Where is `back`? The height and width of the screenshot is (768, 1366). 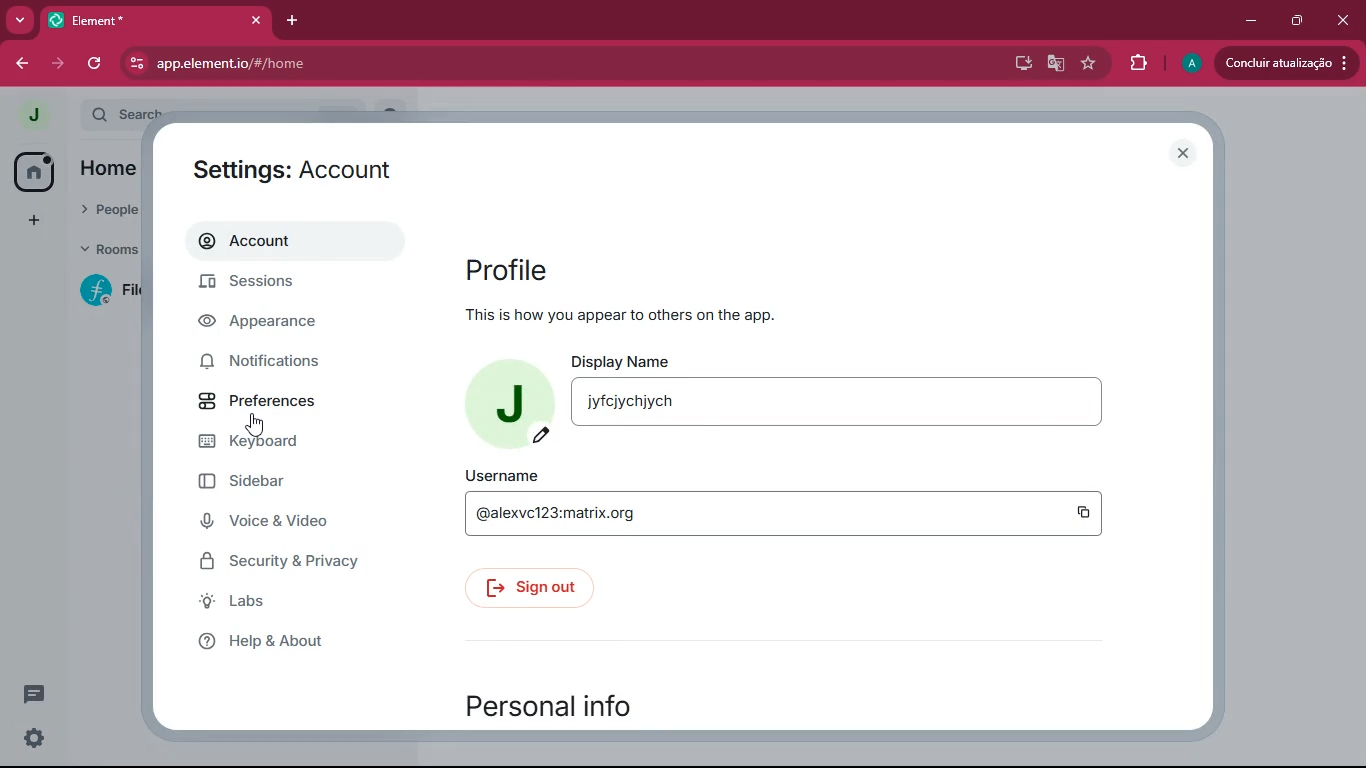
back is located at coordinates (17, 63).